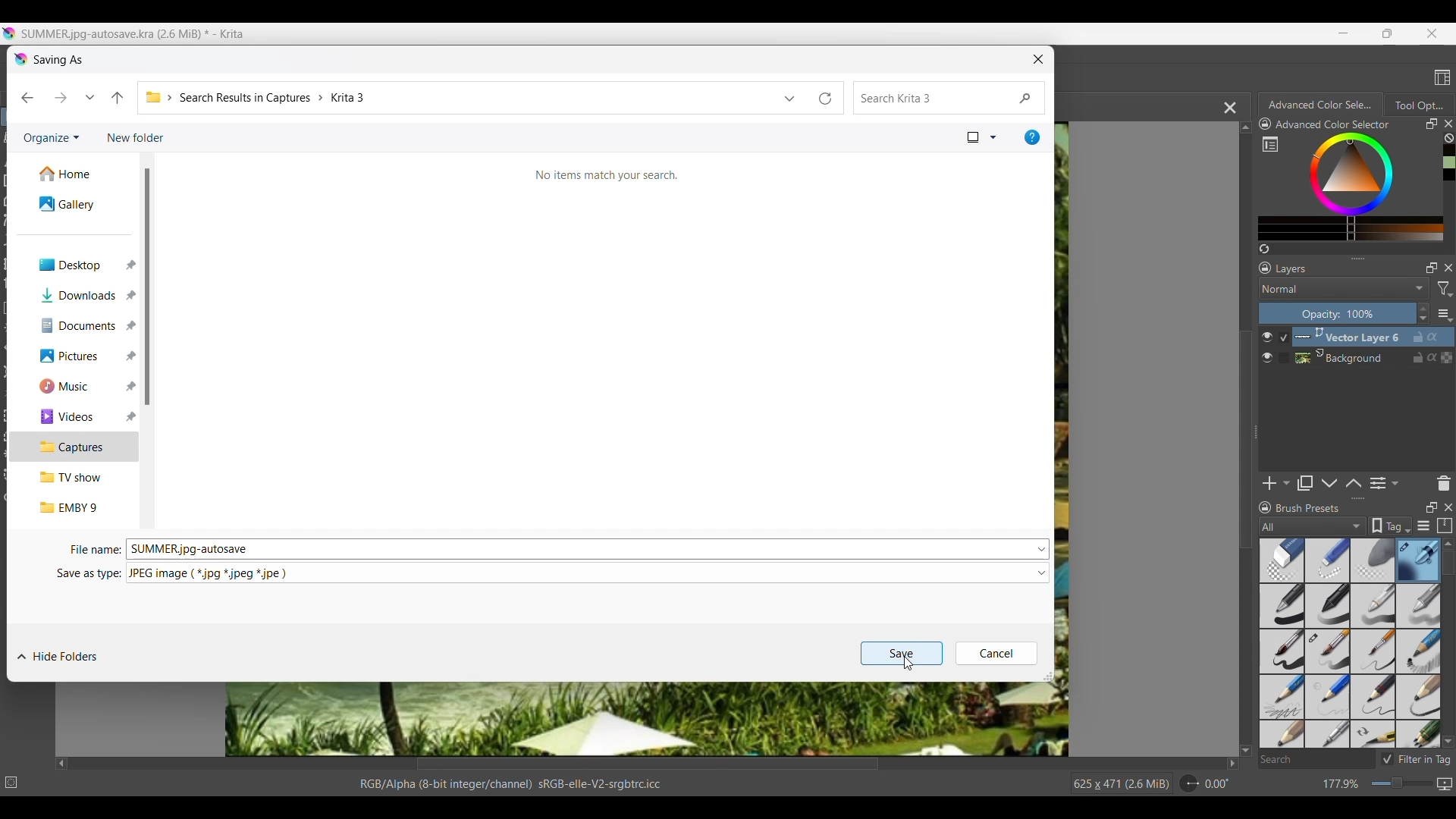 This screenshot has width=1456, height=819. Describe the element at coordinates (77, 204) in the screenshot. I see `Gallery folder` at that location.